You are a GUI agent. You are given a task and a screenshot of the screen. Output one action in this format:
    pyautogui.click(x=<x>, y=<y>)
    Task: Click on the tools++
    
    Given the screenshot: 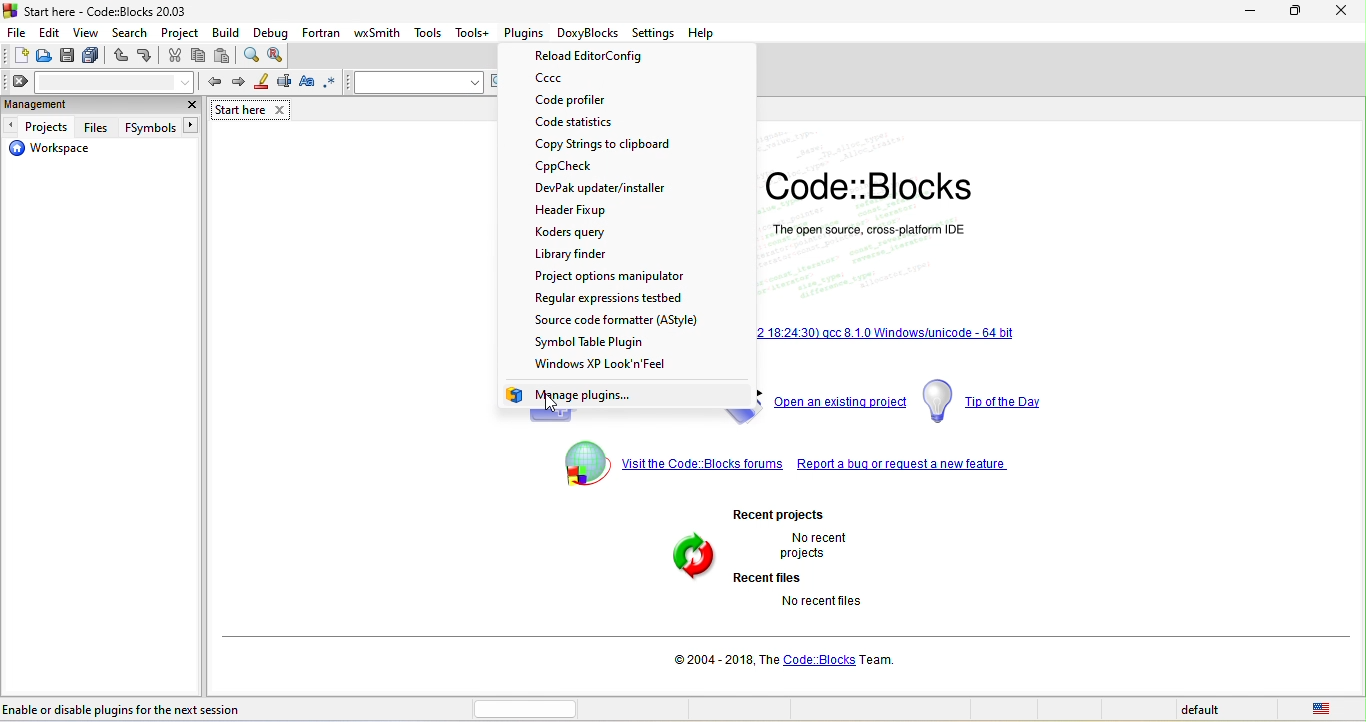 What is the action you would take?
    pyautogui.click(x=473, y=32)
    